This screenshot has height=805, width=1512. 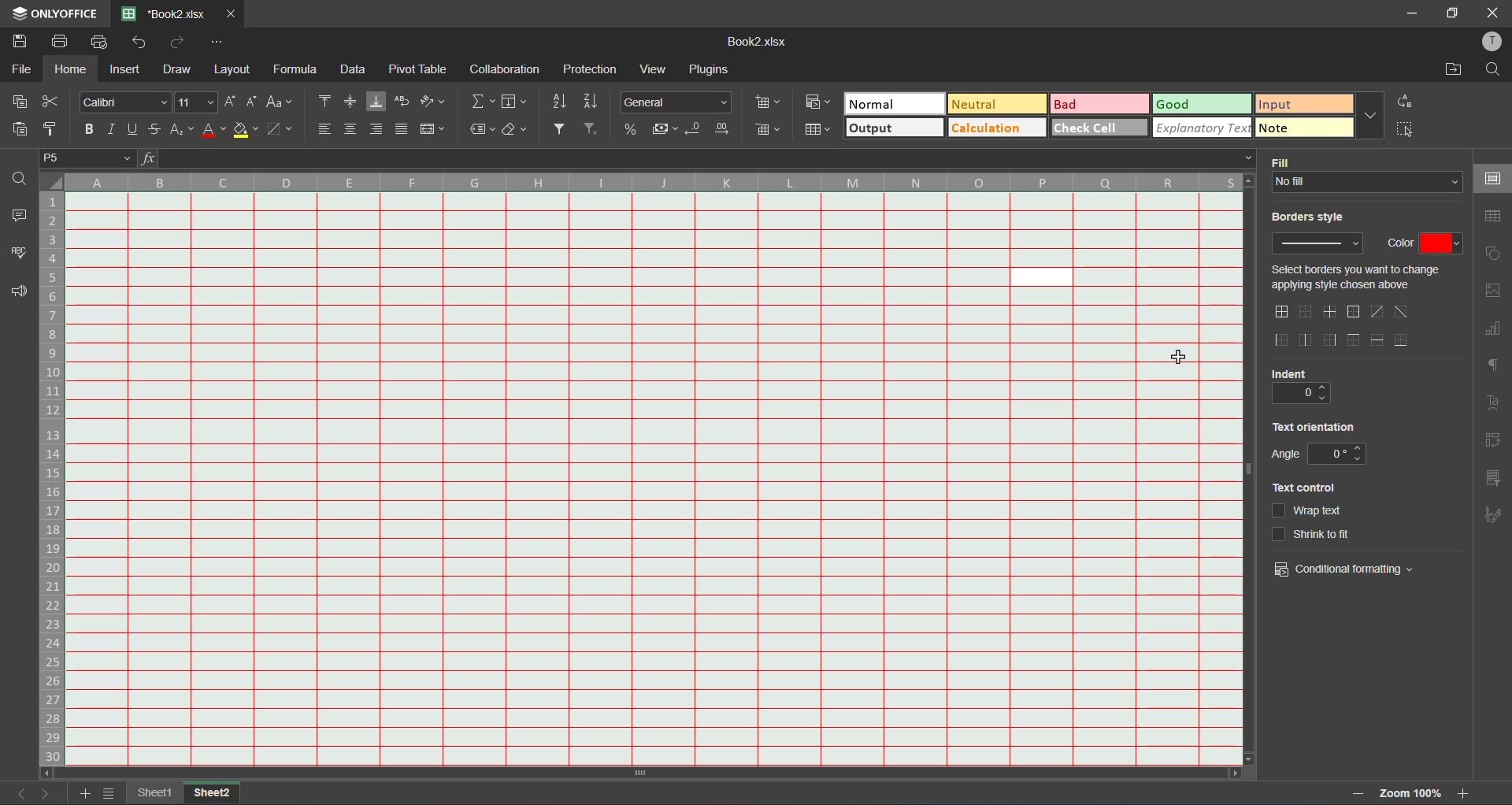 What do you see at coordinates (280, 103) in the screenshot?
I see `change case` at bounding box center [280, 103].